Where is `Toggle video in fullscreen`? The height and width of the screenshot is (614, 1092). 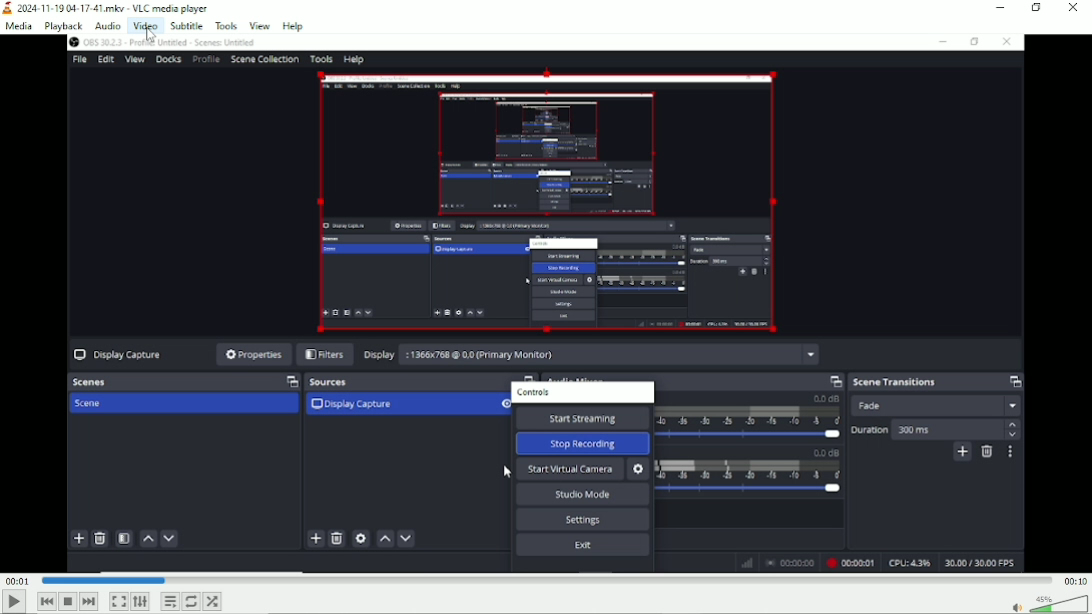
Toggle video in fullscreen is located at coordinates (118, 601).